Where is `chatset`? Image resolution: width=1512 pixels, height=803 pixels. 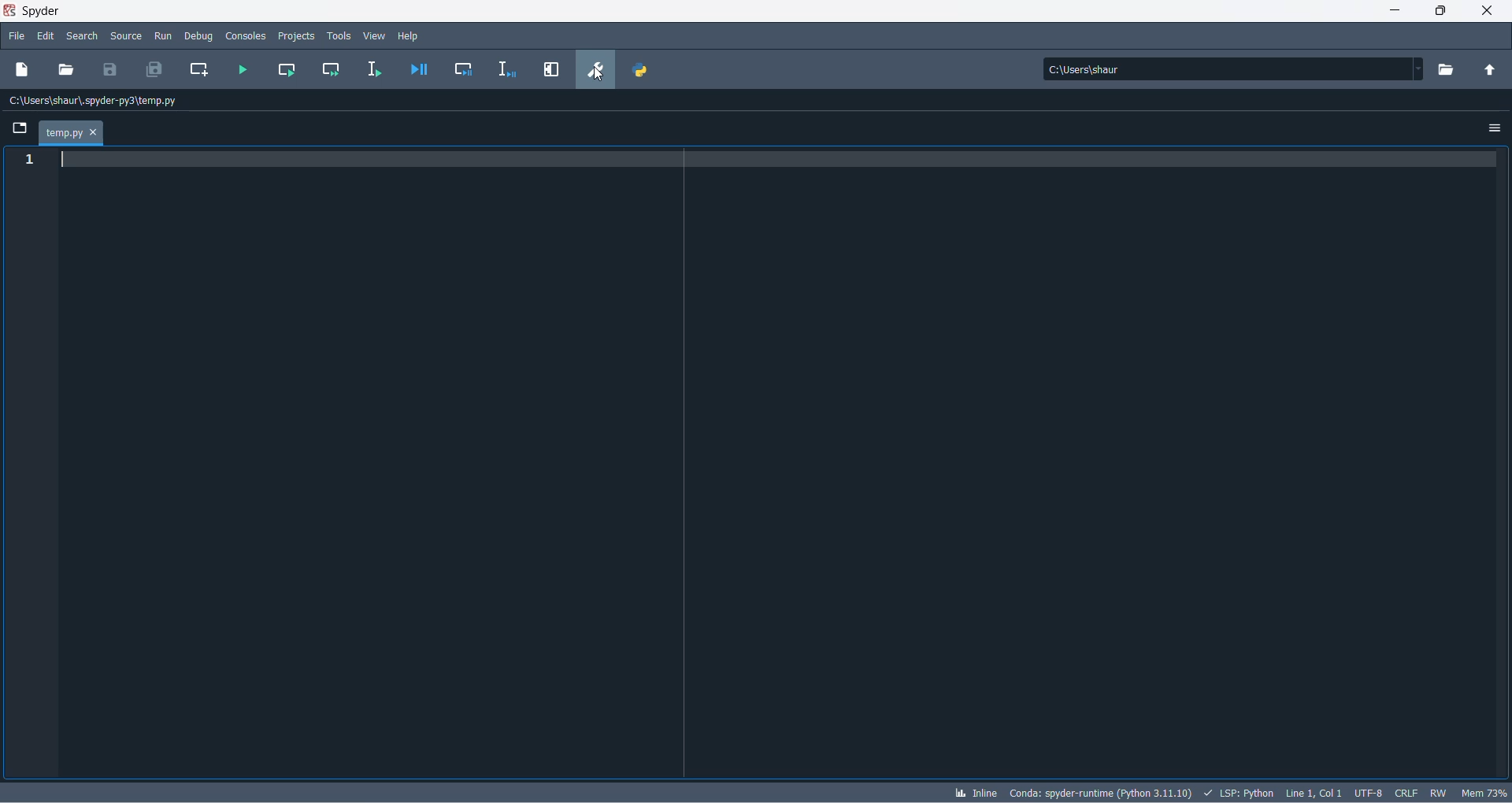 chatset is located at coordinates (1368, 791).